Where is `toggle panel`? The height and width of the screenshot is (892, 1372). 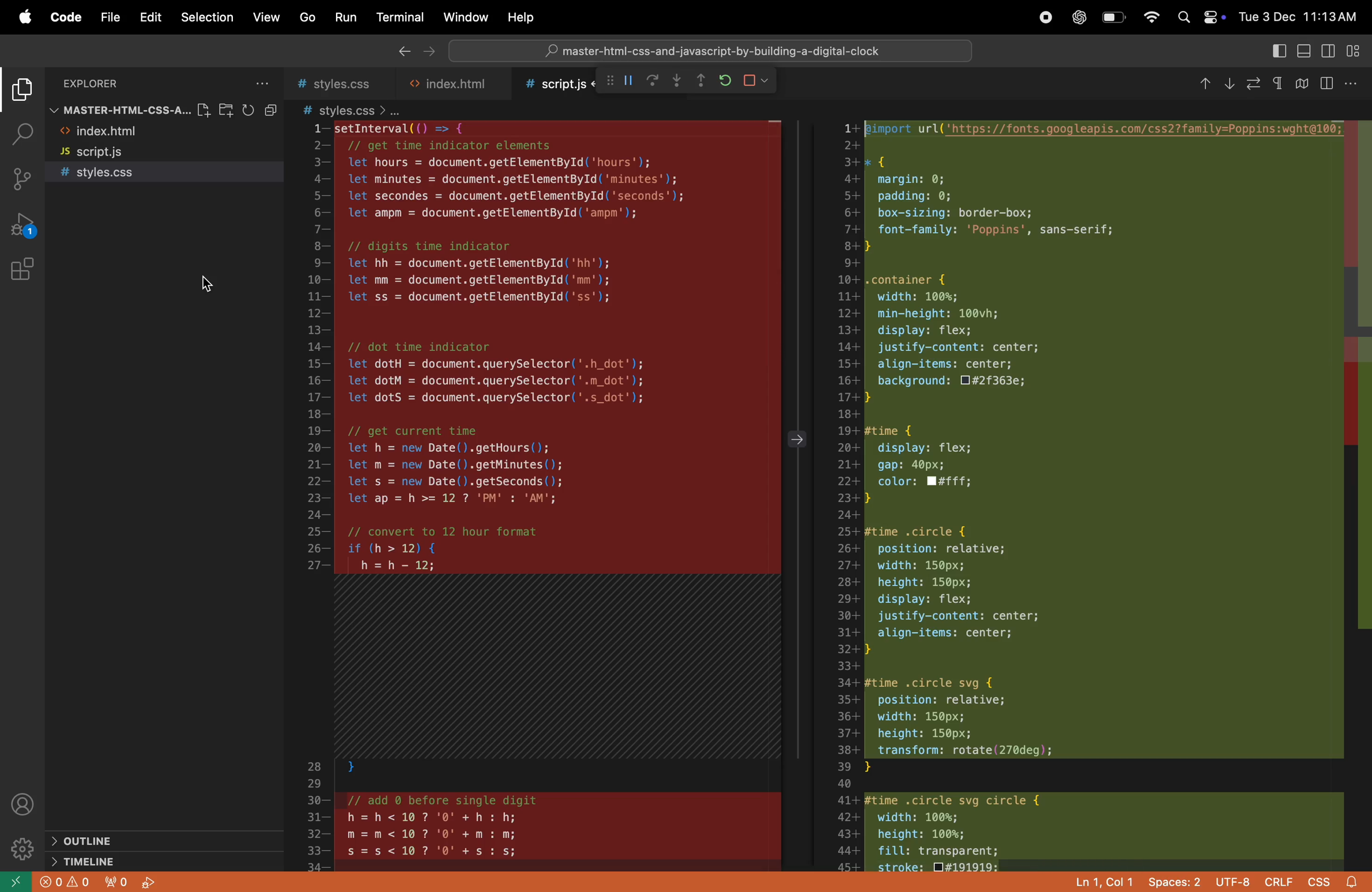
toggle panel is located at coordinates (1305, 51).